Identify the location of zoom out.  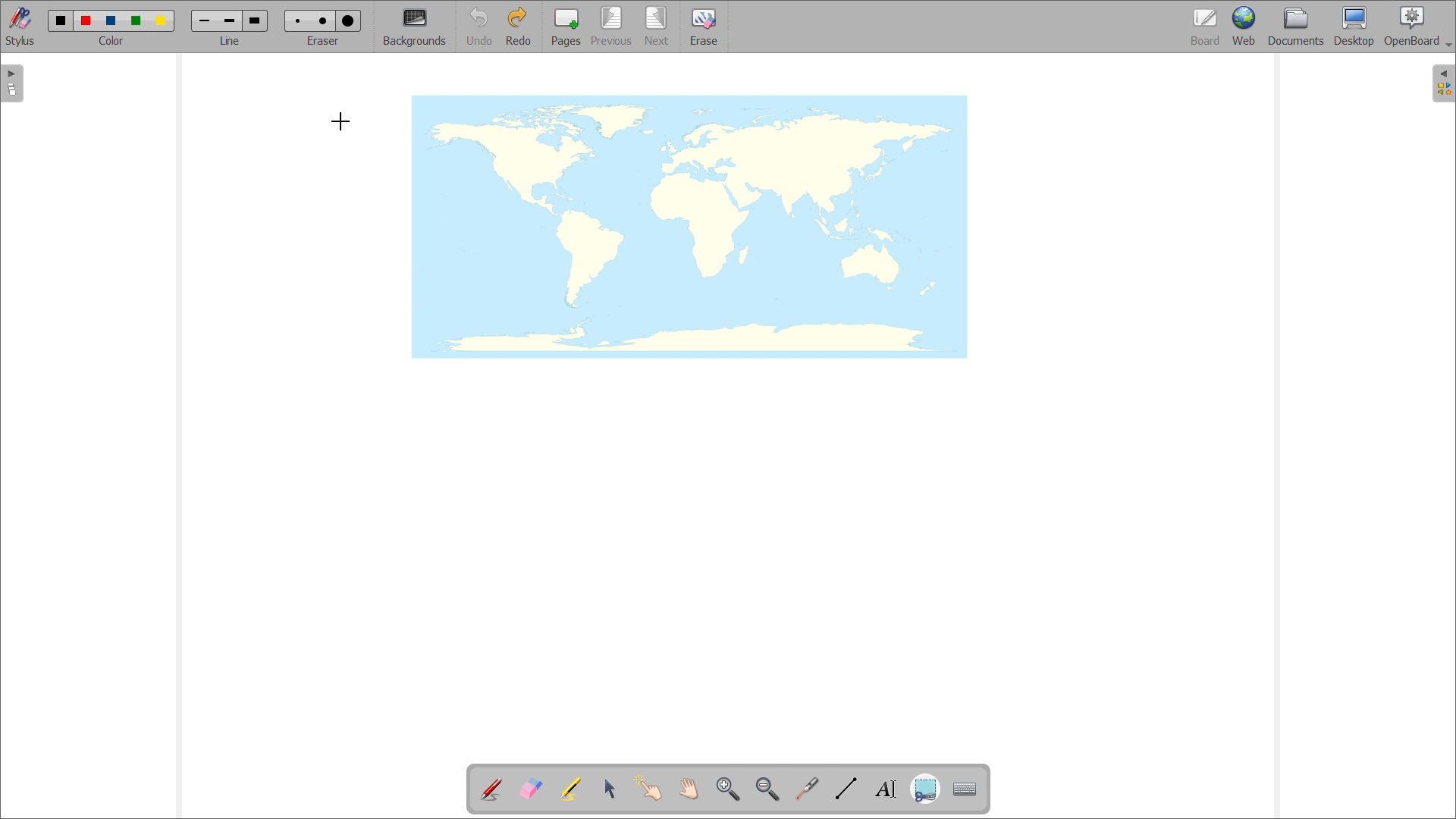
(767, 789).